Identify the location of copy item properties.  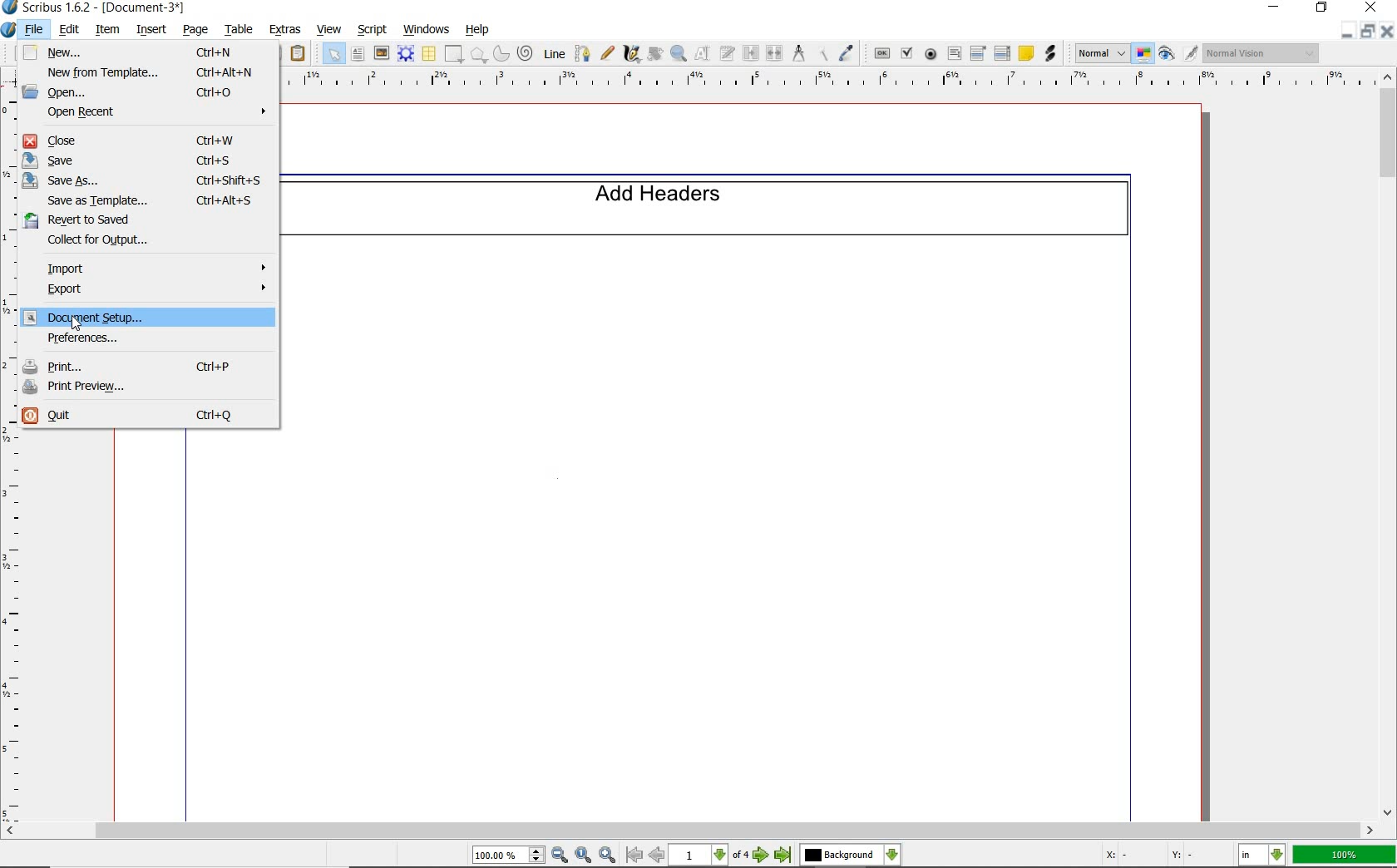
(821, 52).